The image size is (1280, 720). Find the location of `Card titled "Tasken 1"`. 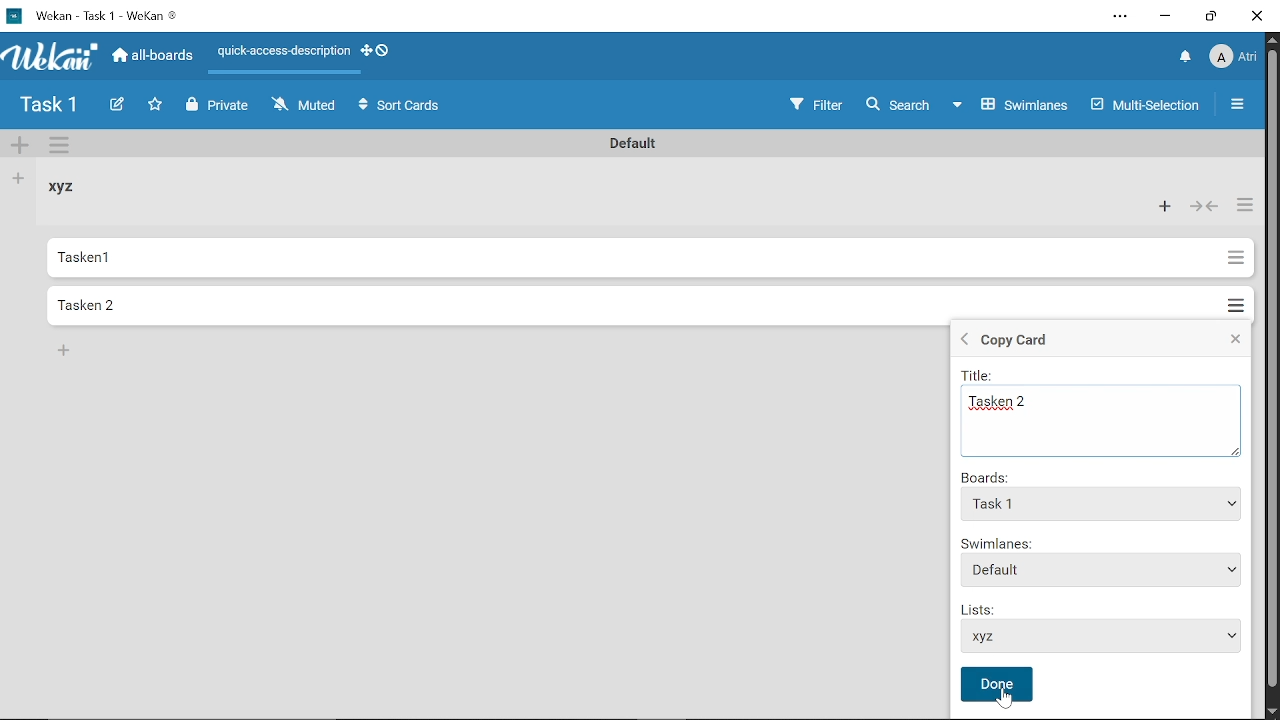

Card titled "Tasken 1" is located at coordinates (628, 258).